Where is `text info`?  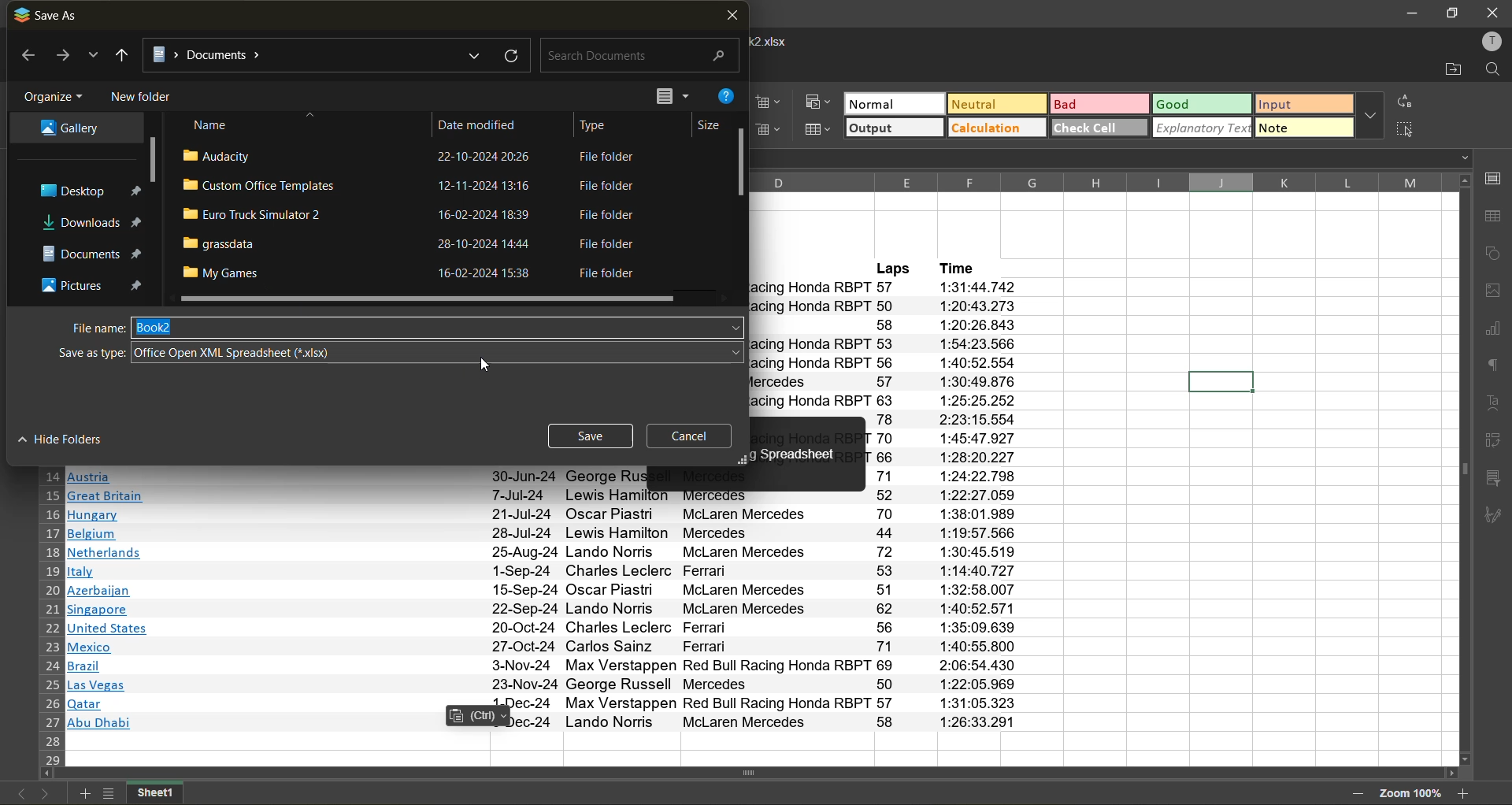
text info is located at coordinates (544, 495).